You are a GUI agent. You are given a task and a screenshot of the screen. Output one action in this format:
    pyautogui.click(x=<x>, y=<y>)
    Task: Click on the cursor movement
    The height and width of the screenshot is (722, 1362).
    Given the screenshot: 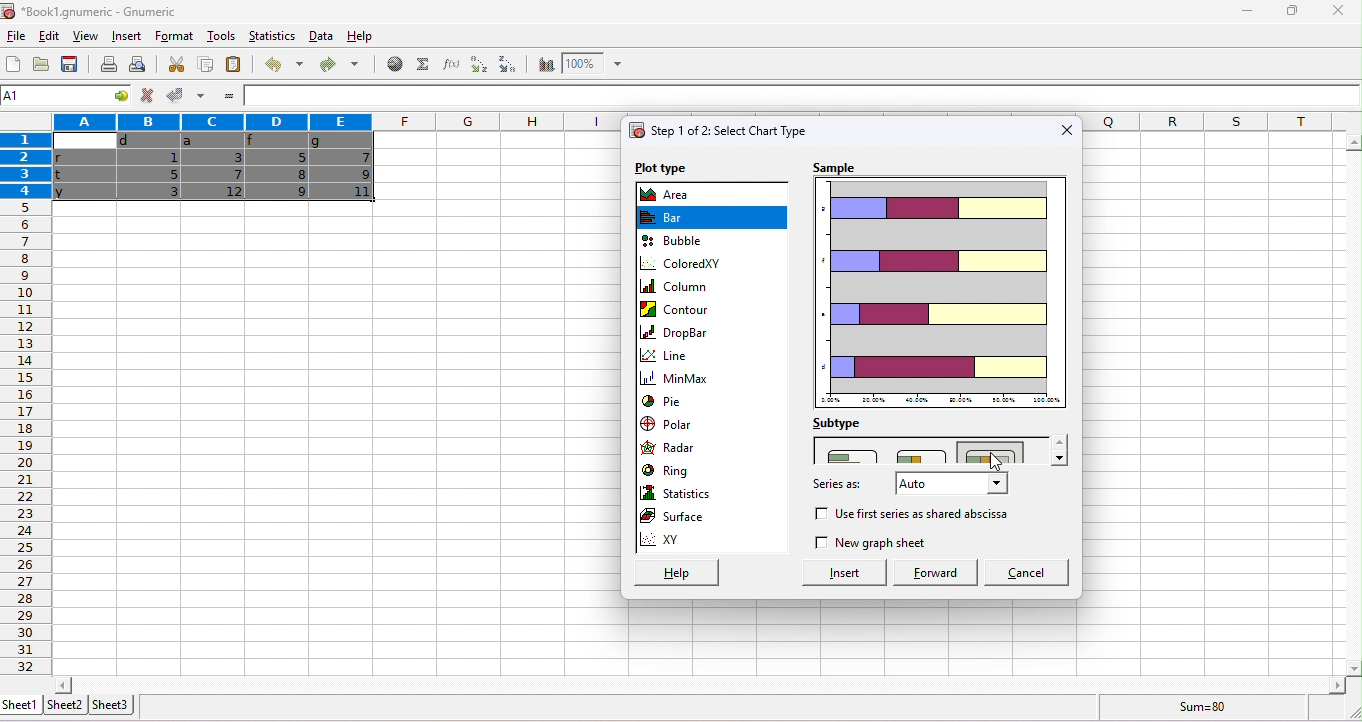 What is the action you would take?
    pyautogui.click(x=999, y=462)
    